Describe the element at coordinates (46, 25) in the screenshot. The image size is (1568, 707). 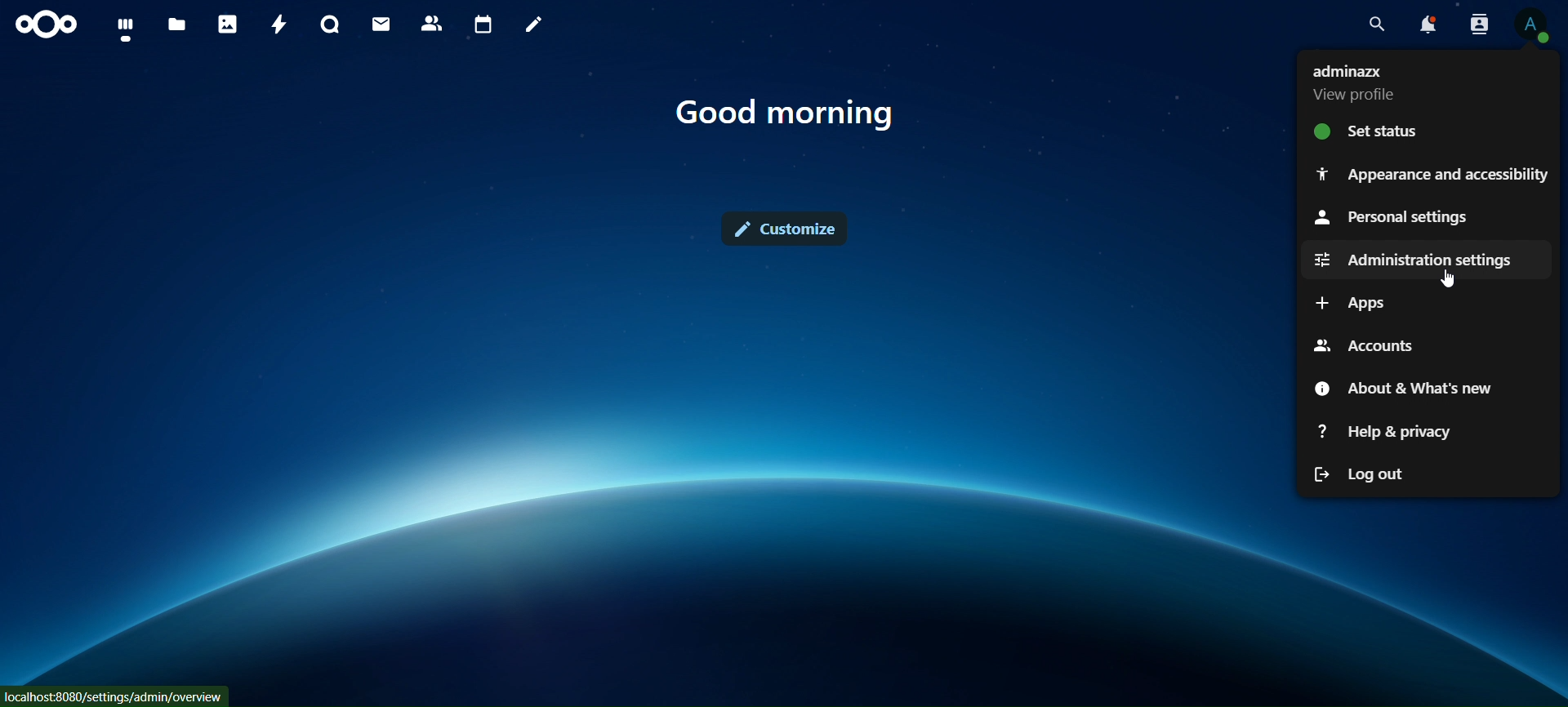
I see `icon` at that location.